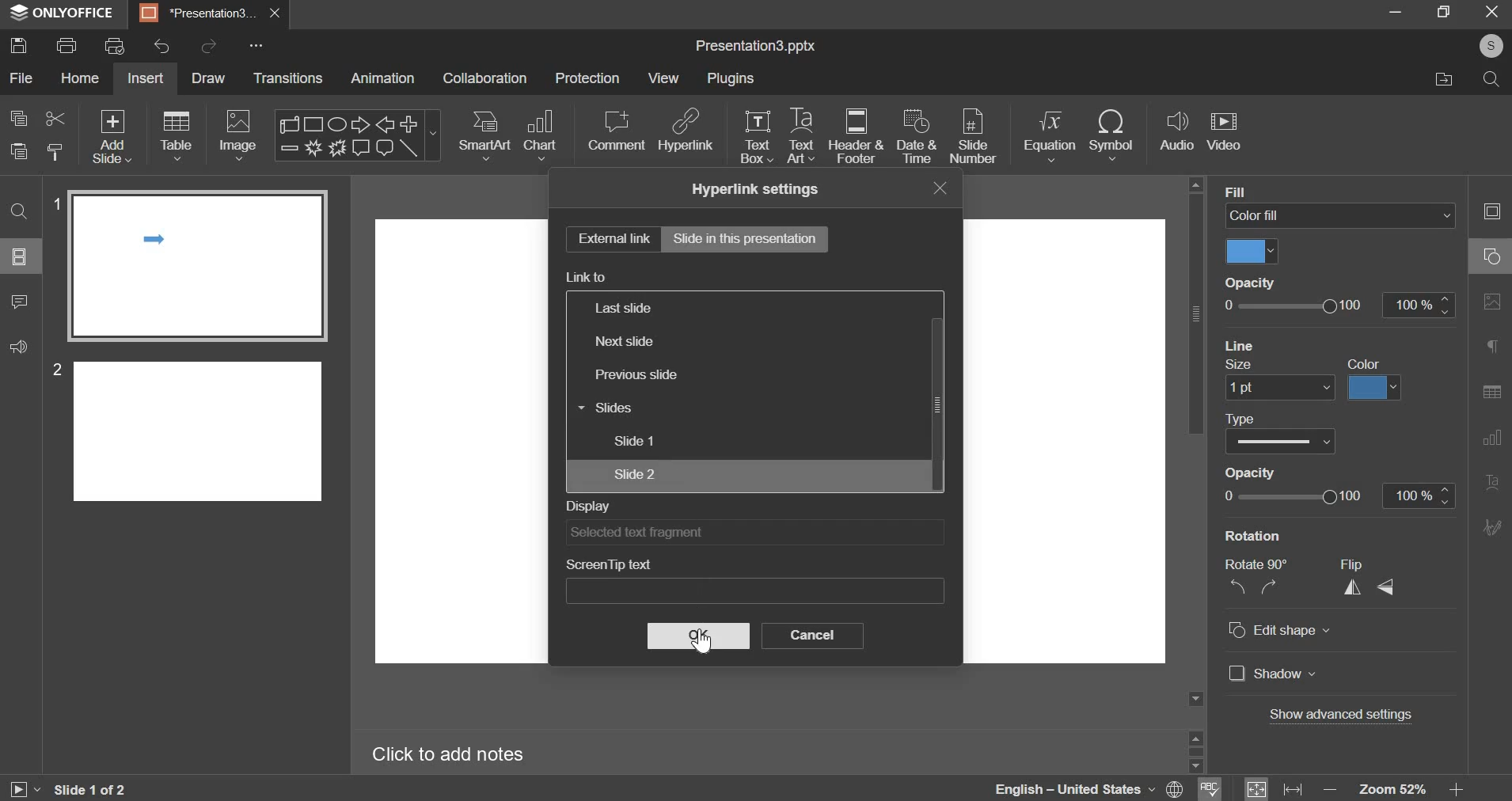 This screenshot has width=1512, height=801. What do you see at coordinates (360, 148) in the screenshot?
I see `rectangular callout` at bounding box center [360, 148].